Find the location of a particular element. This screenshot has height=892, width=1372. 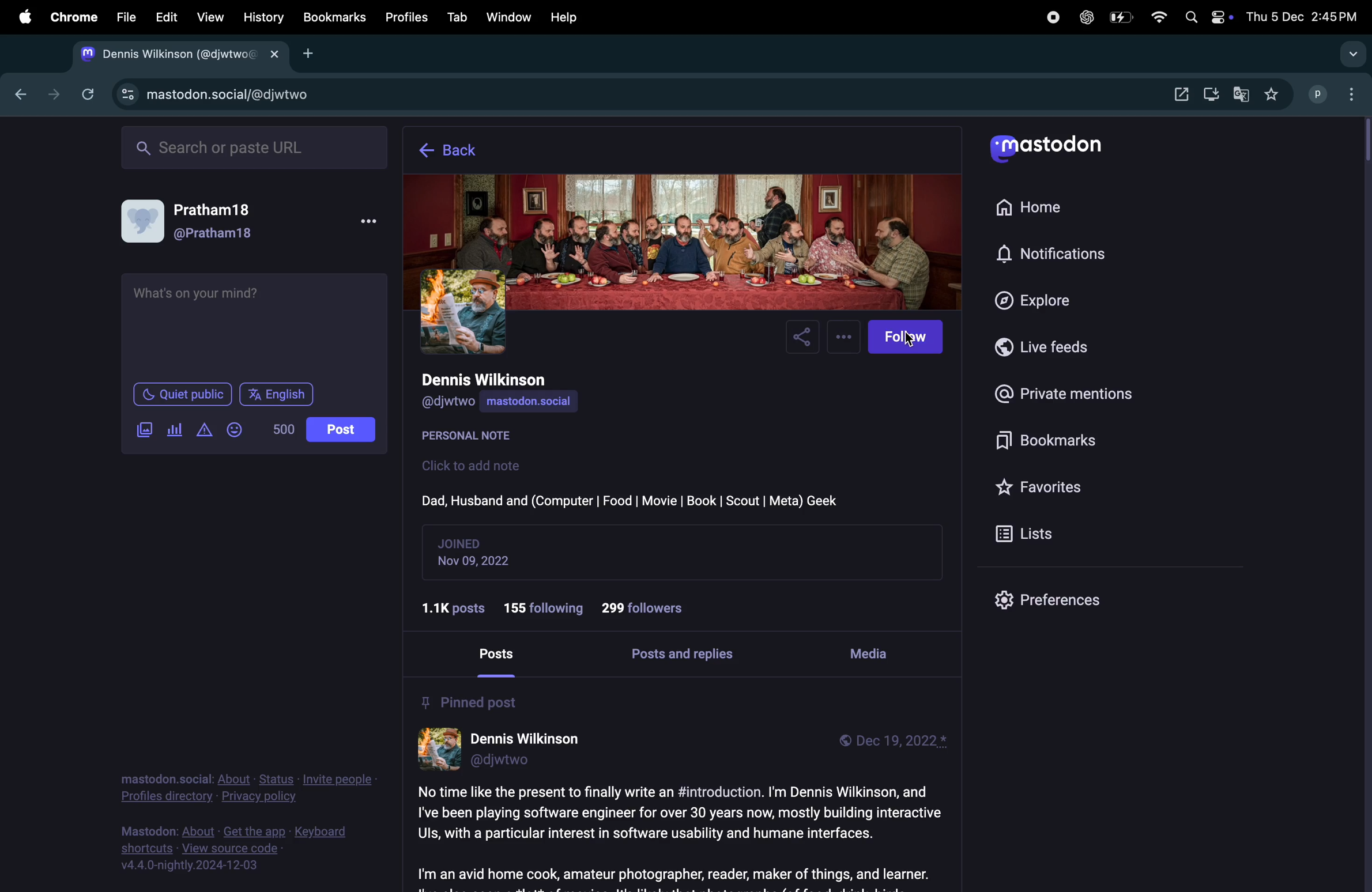

post is located at coordinates (340, 429).